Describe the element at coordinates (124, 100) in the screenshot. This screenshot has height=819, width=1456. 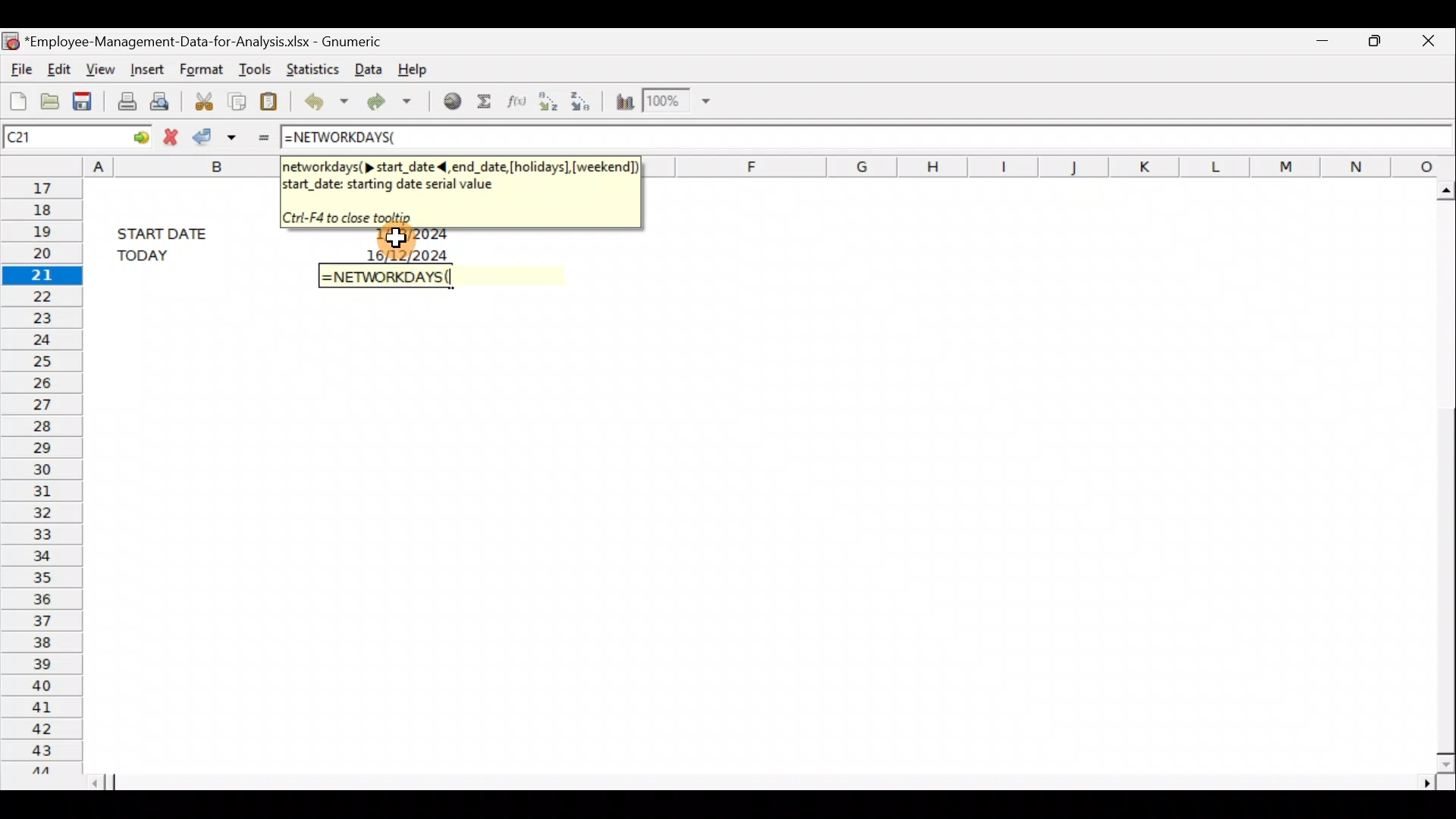
I see `Print current file` at that location.